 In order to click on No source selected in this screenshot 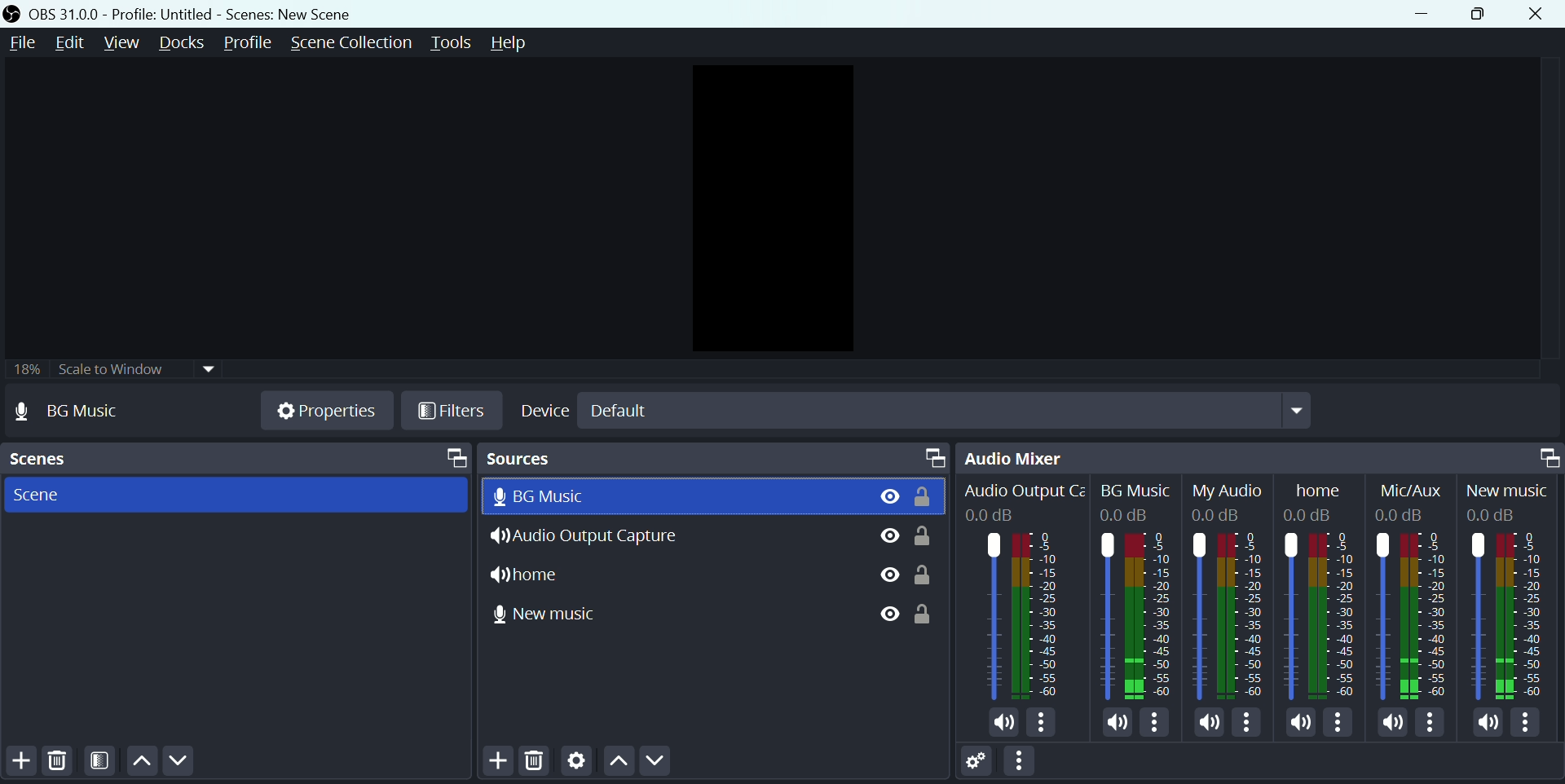, I will do `click(85, 412)`.